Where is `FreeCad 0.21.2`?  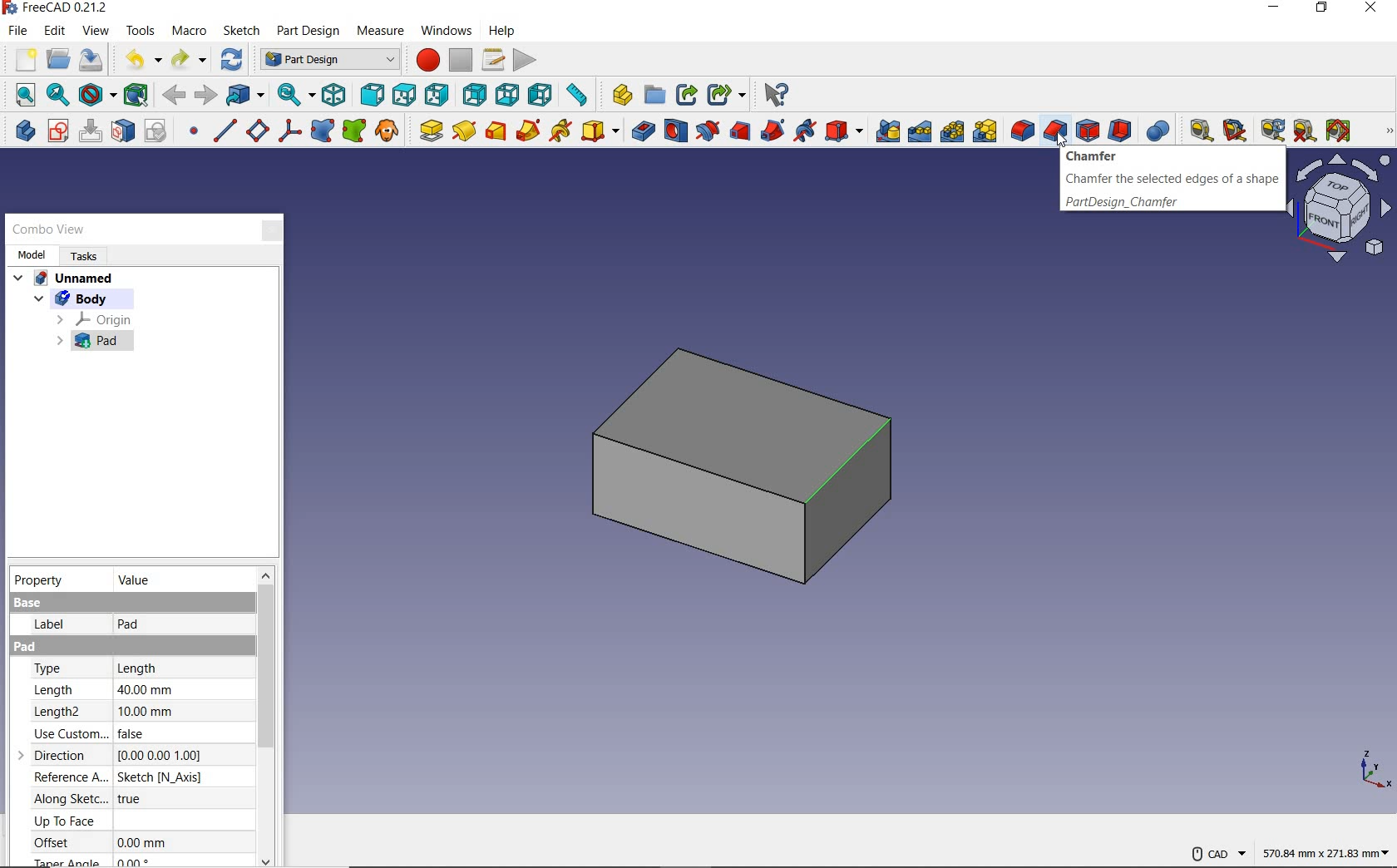 FreeCad 0.21.2 is located at coordinates (59, 7).